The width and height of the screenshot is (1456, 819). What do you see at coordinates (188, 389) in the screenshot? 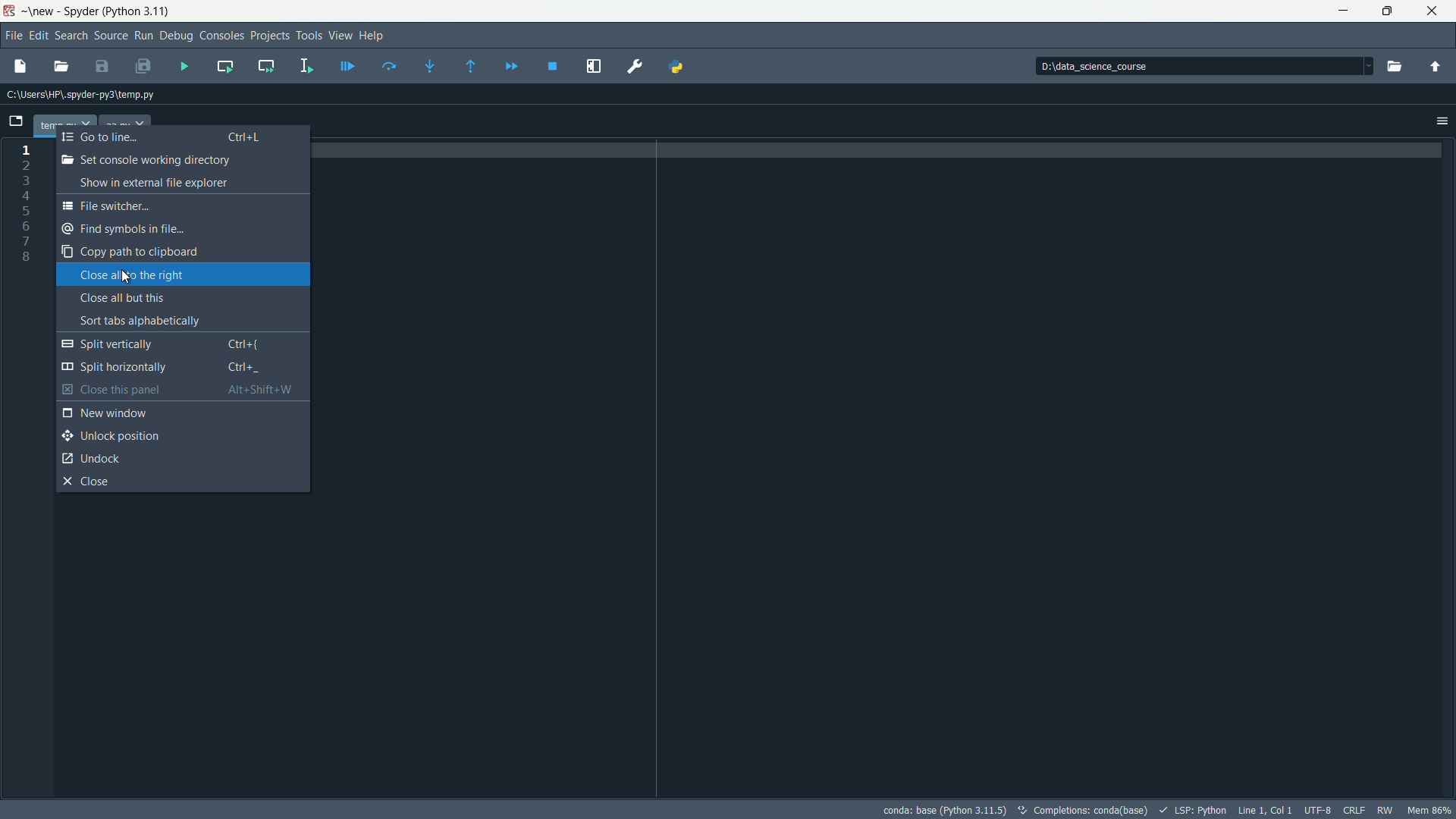
I see `close this panel` at bounding box center [188, 389].